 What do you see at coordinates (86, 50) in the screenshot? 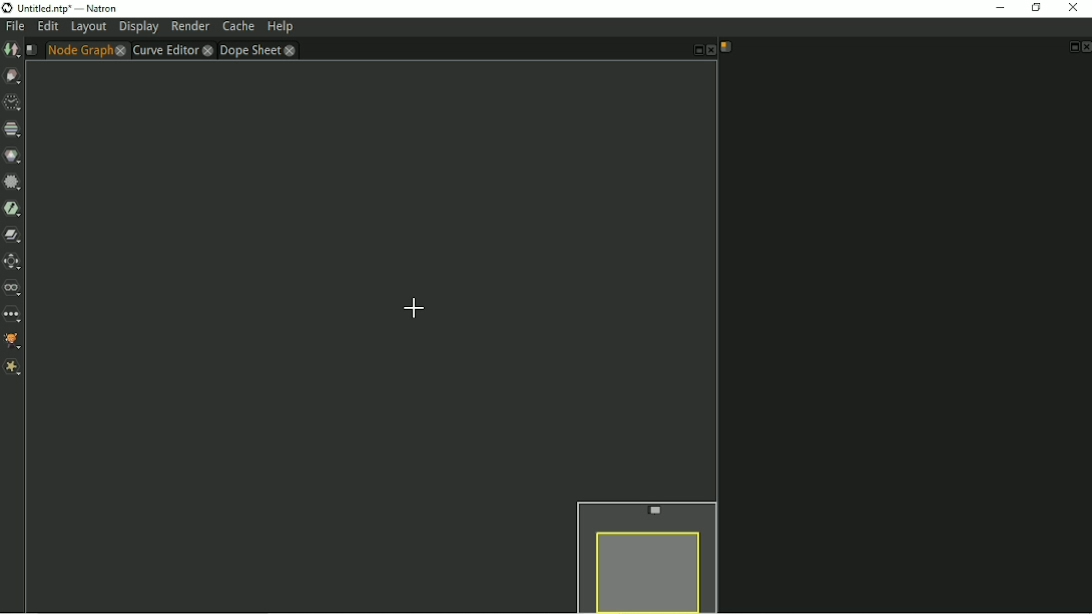
I see `Node graph` at bounding box center [86, 50].